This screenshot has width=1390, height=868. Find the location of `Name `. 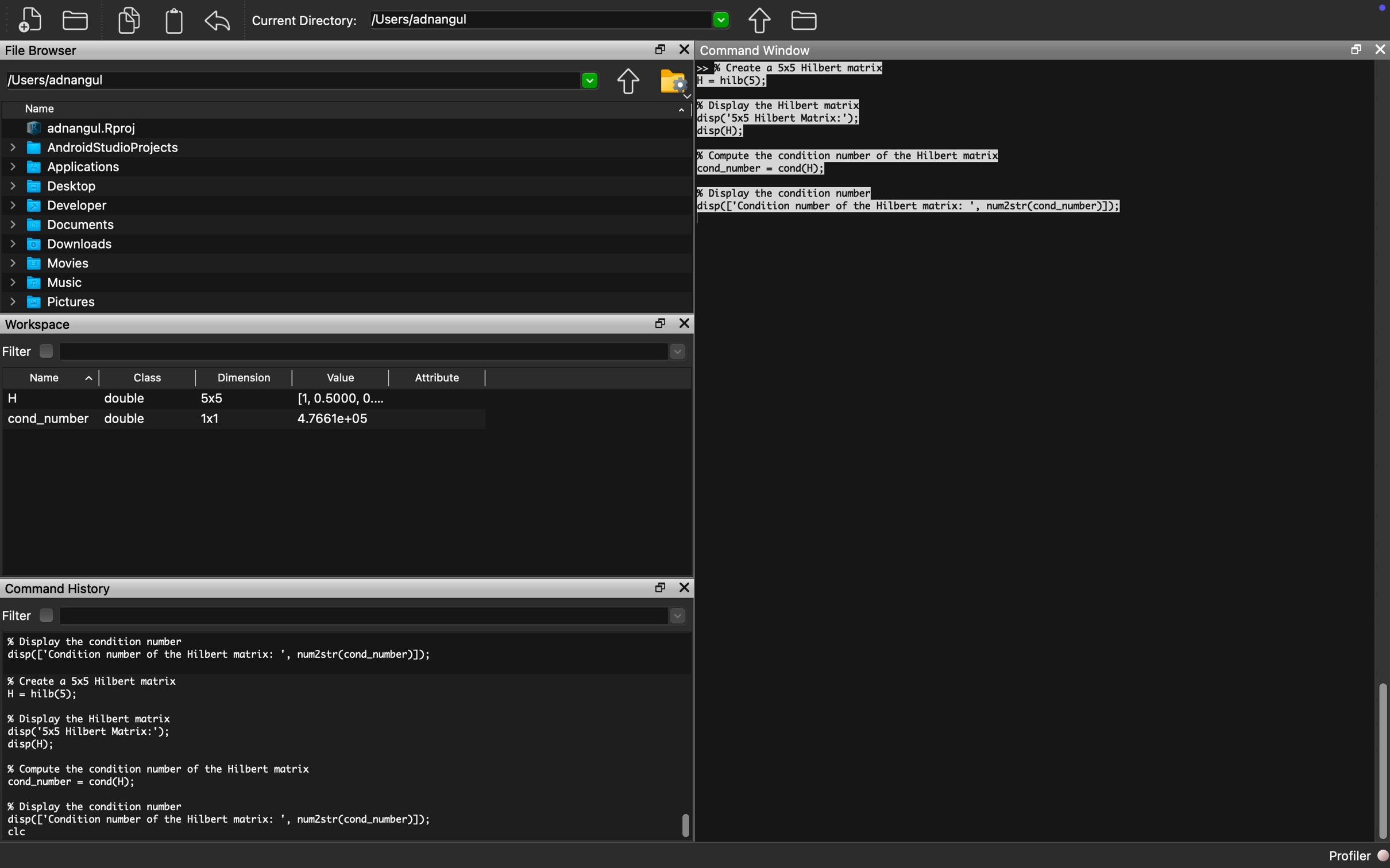

Name  is located at coordinates (60, 378).